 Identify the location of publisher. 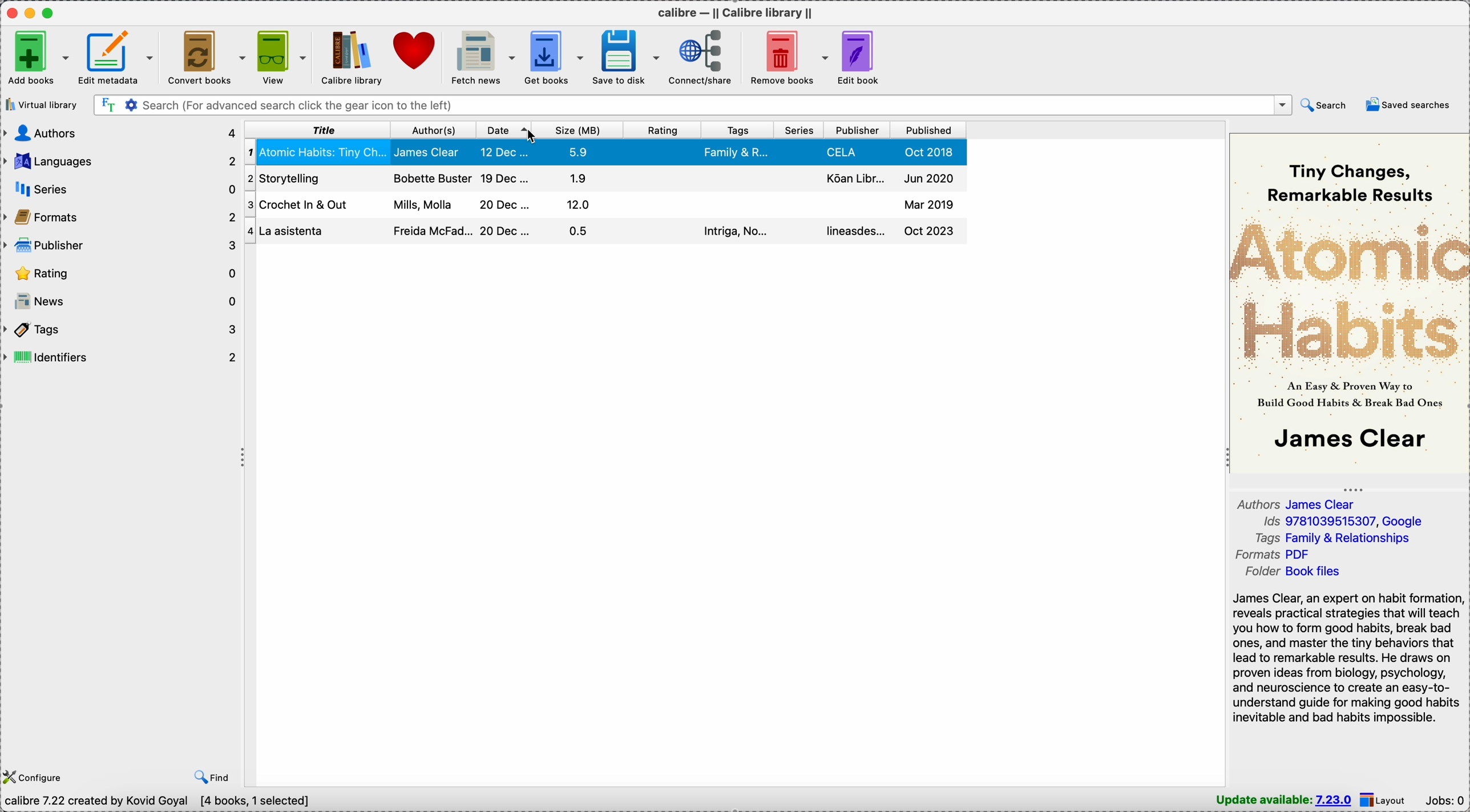
(858, 131).